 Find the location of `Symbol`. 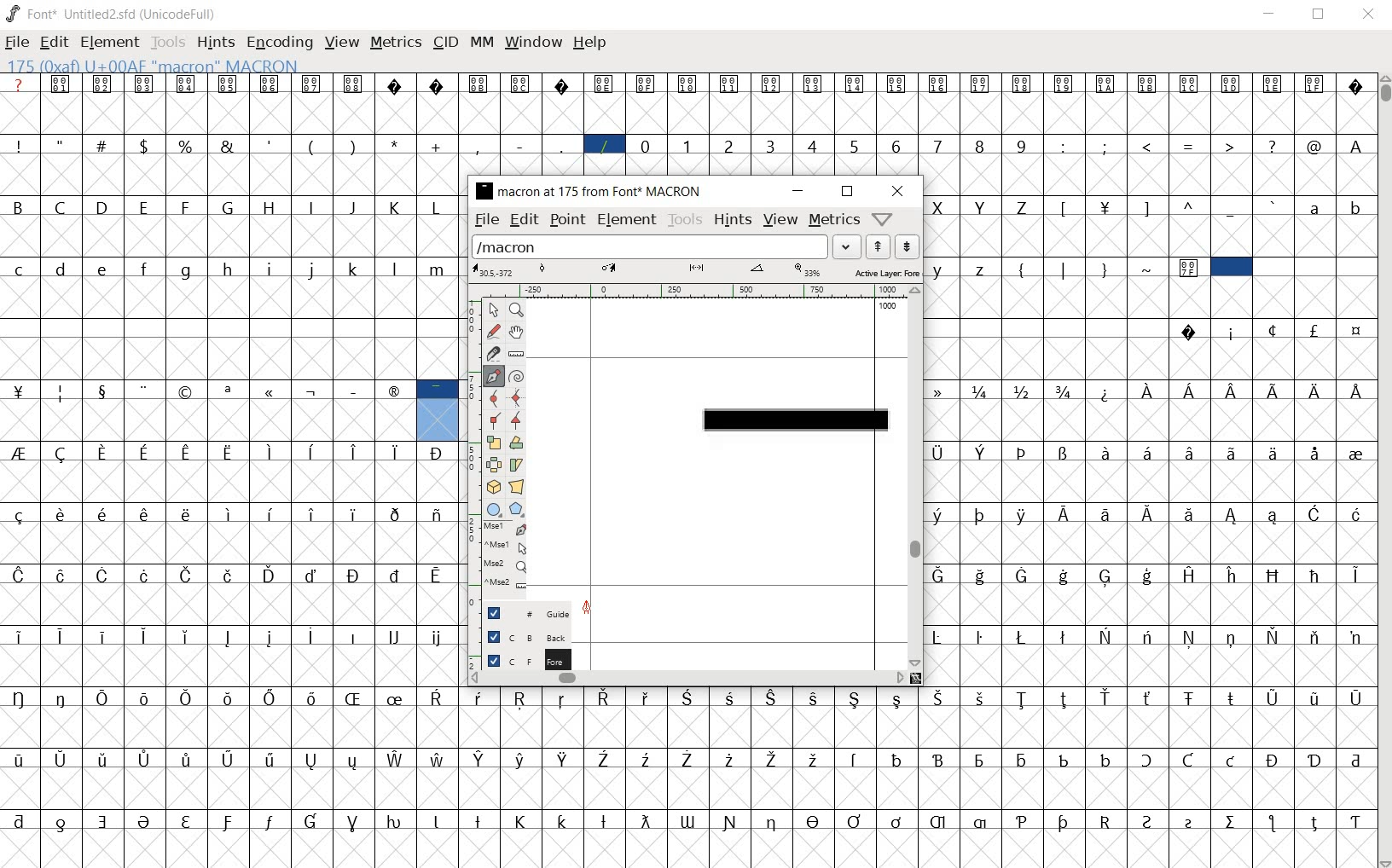

Symbol is located at coordinates (1066, 698).